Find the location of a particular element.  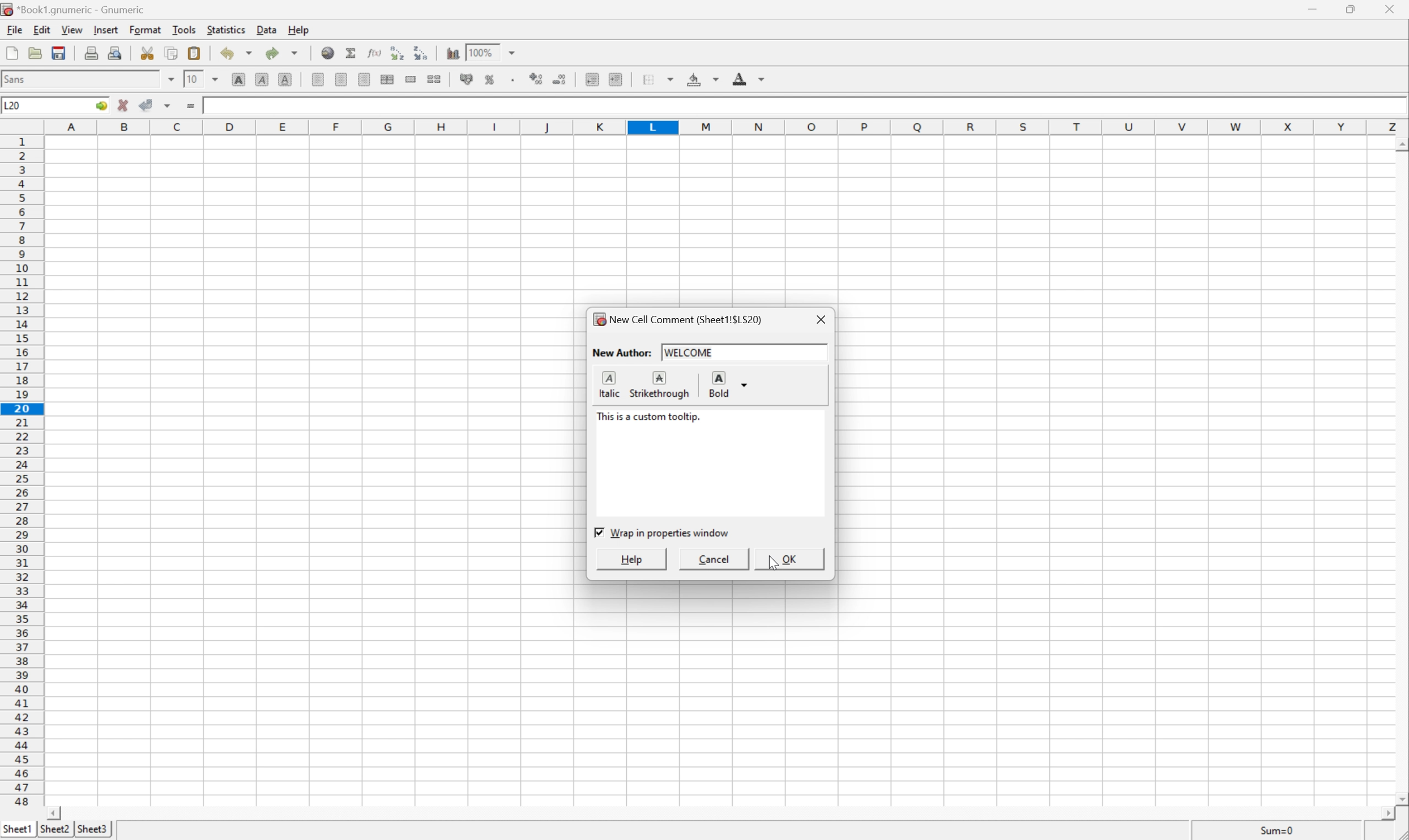

Scroll Right is located at coordinates (1380, 813).